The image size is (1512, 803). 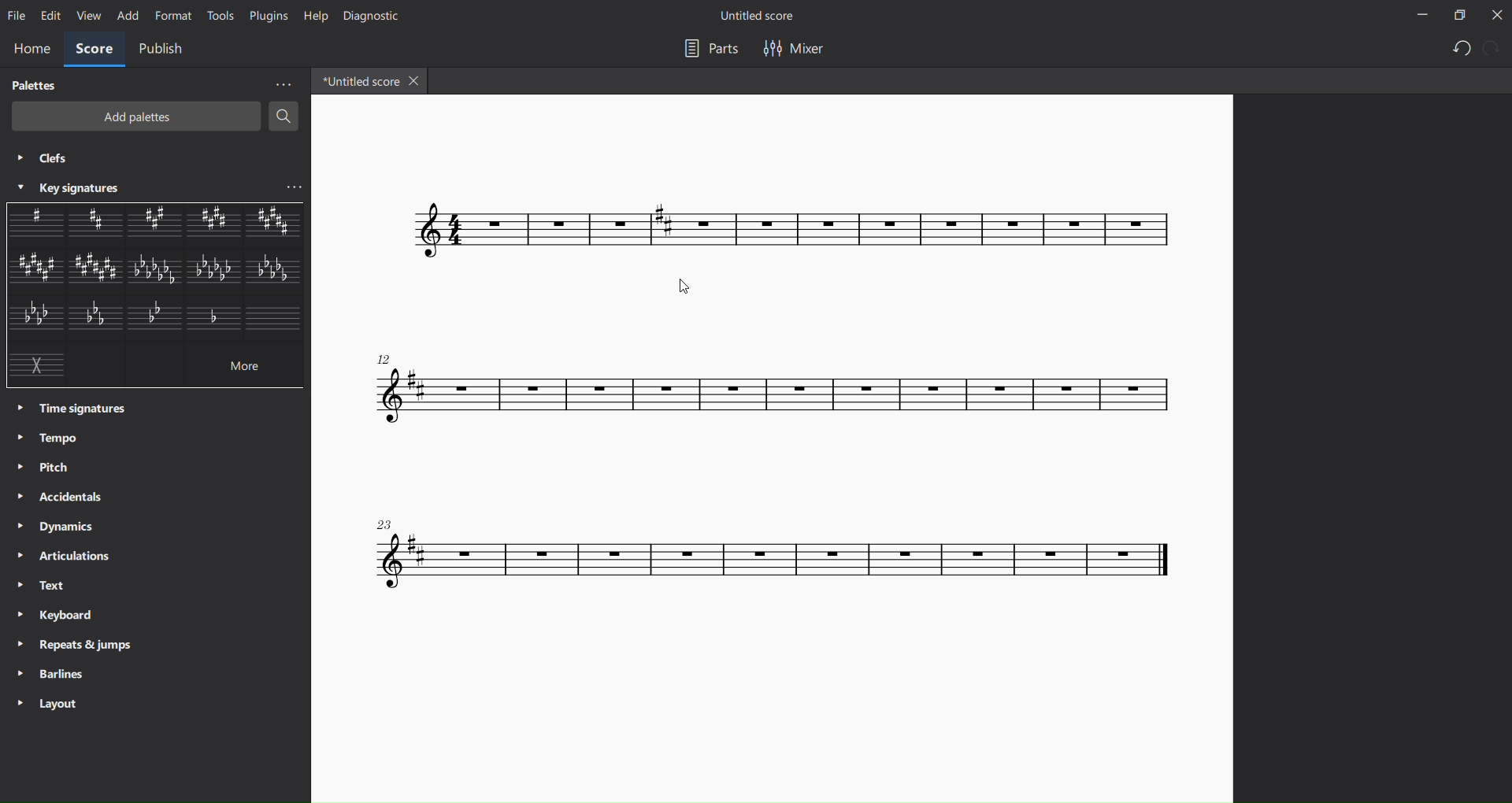 What do you see at coordinates (66, 185) in the screenshot?
I see `key signatures` at bounding box center [66, 185].